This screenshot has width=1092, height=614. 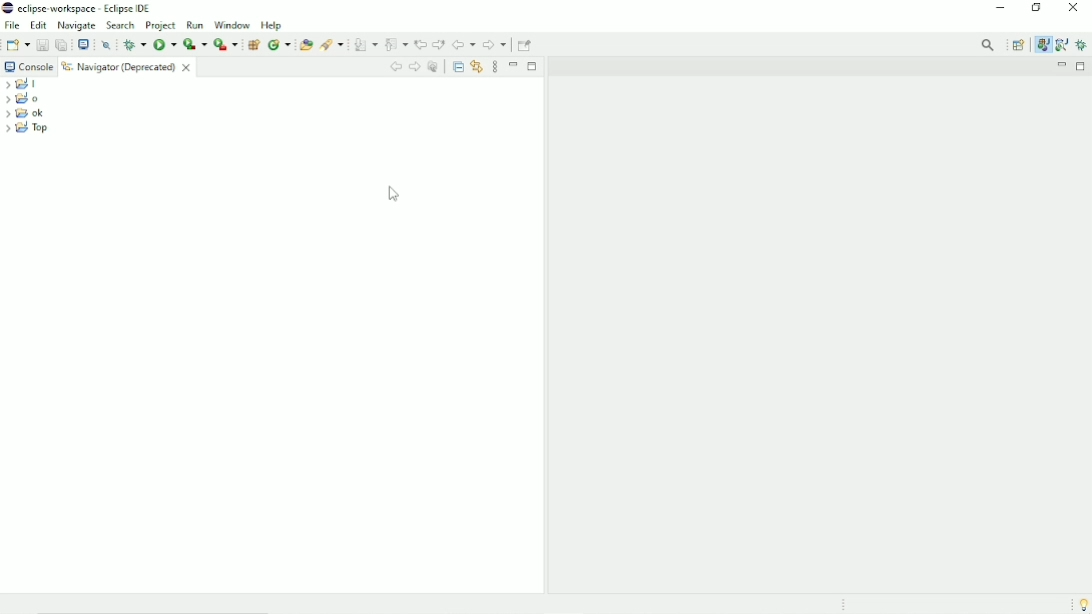 What do you see at coordinates (225, 45) in the screenshot?
I see `Run last tool` at bounding box center [225, 45].